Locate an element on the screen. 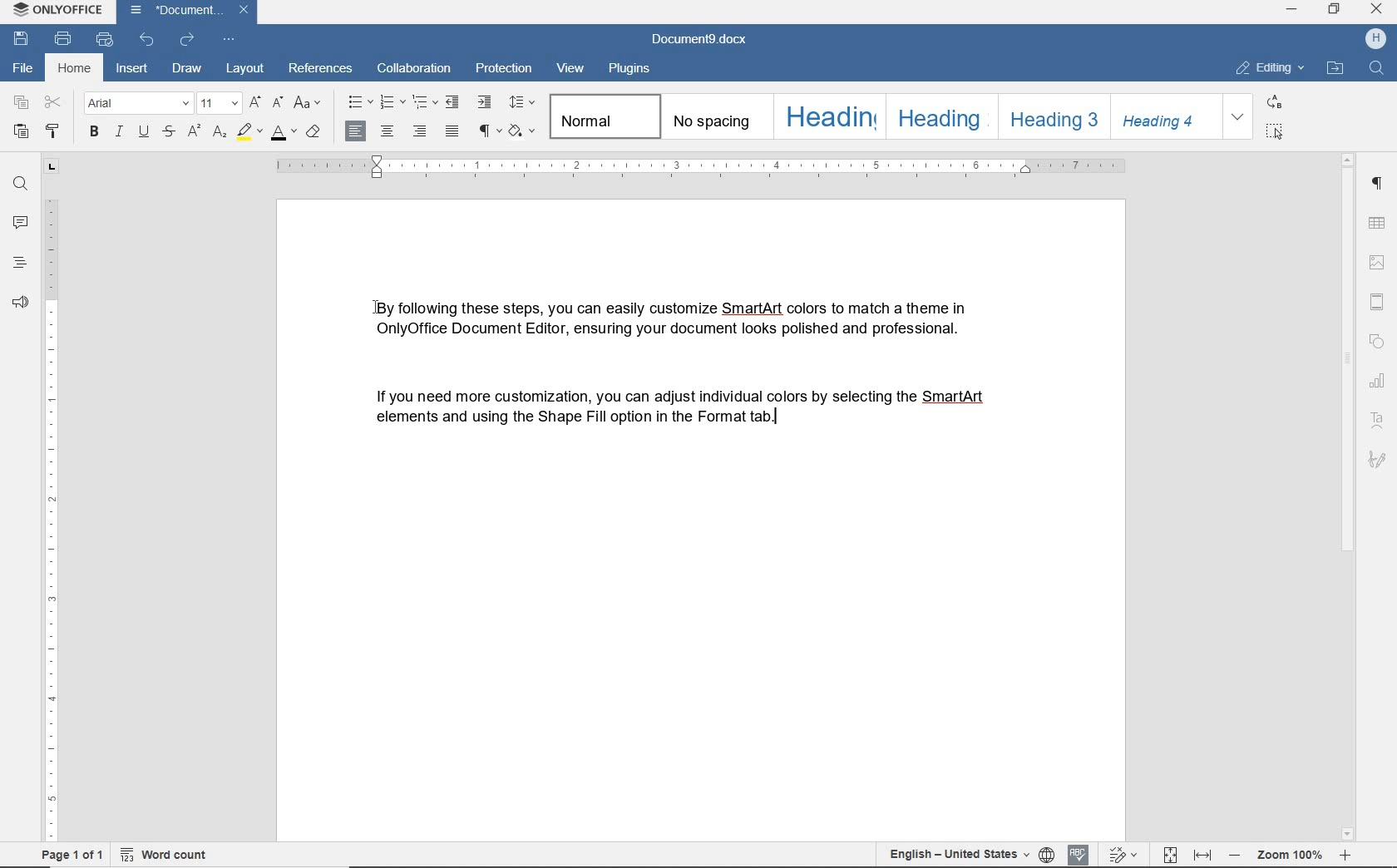 The image size is (1397, 868). change case is located at coordinates (309, 101).